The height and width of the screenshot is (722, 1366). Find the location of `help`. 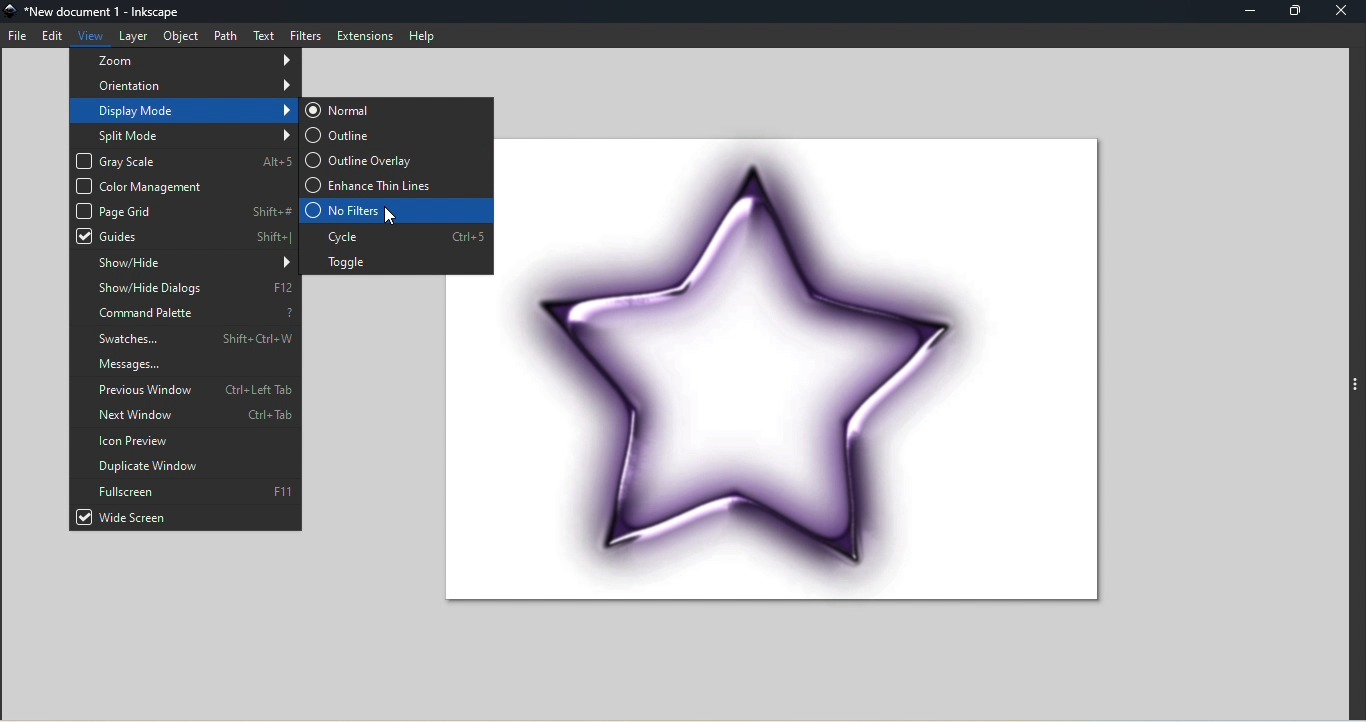

help is located at coordinates (426, 35).